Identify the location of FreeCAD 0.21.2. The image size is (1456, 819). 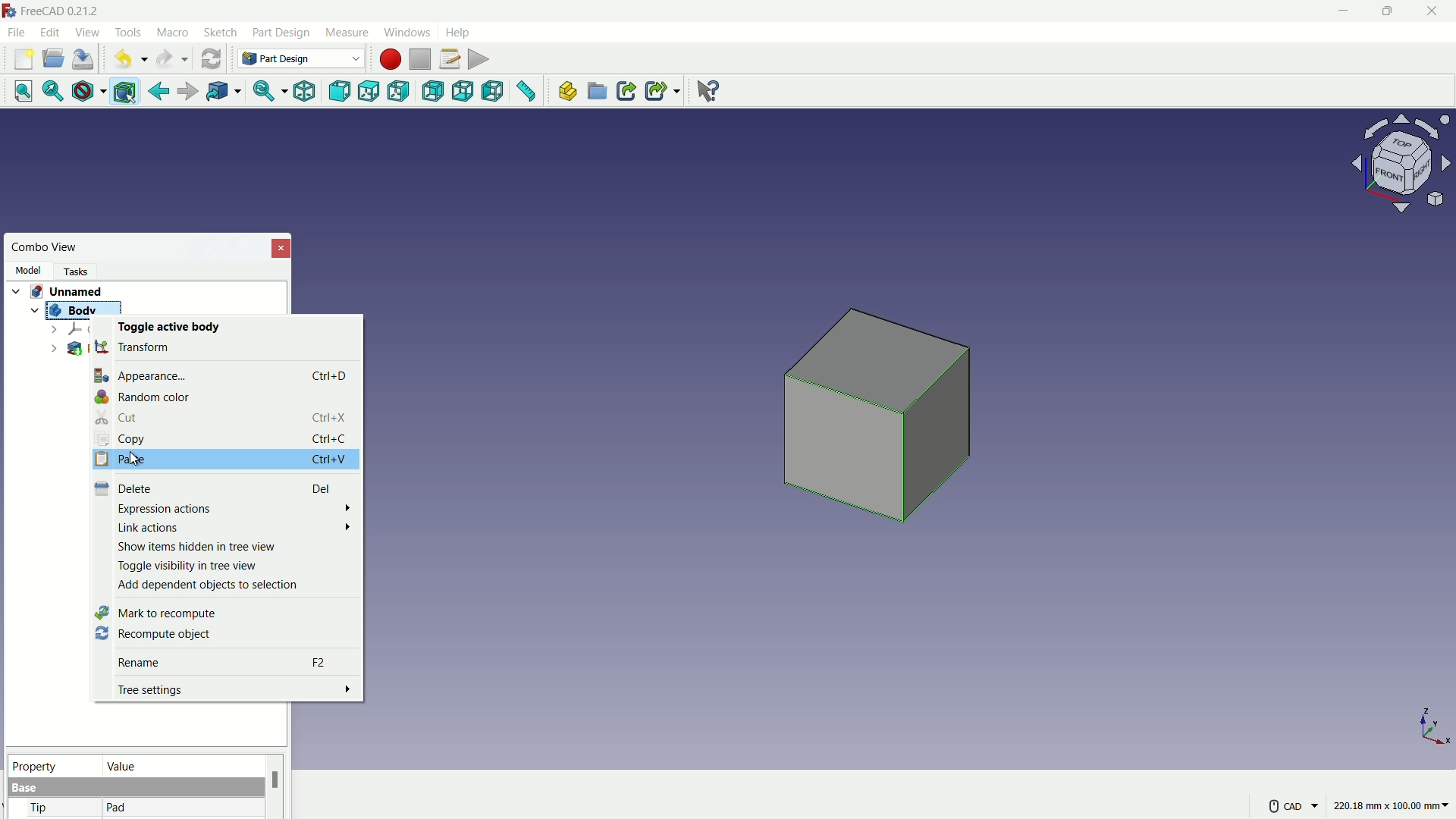
(53, 10).